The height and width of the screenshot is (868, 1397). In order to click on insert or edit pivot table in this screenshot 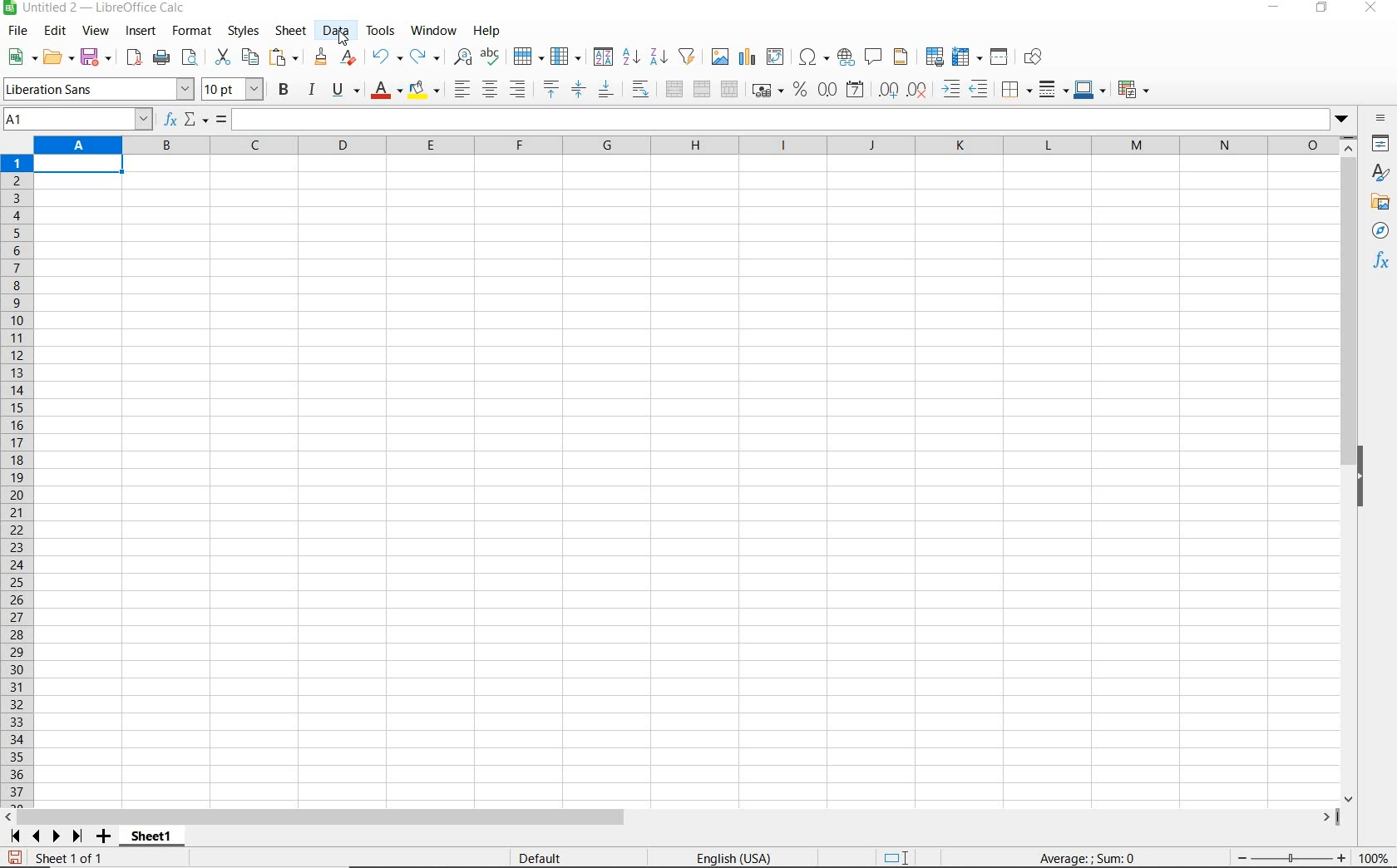, I will do `click(777, 57)`.